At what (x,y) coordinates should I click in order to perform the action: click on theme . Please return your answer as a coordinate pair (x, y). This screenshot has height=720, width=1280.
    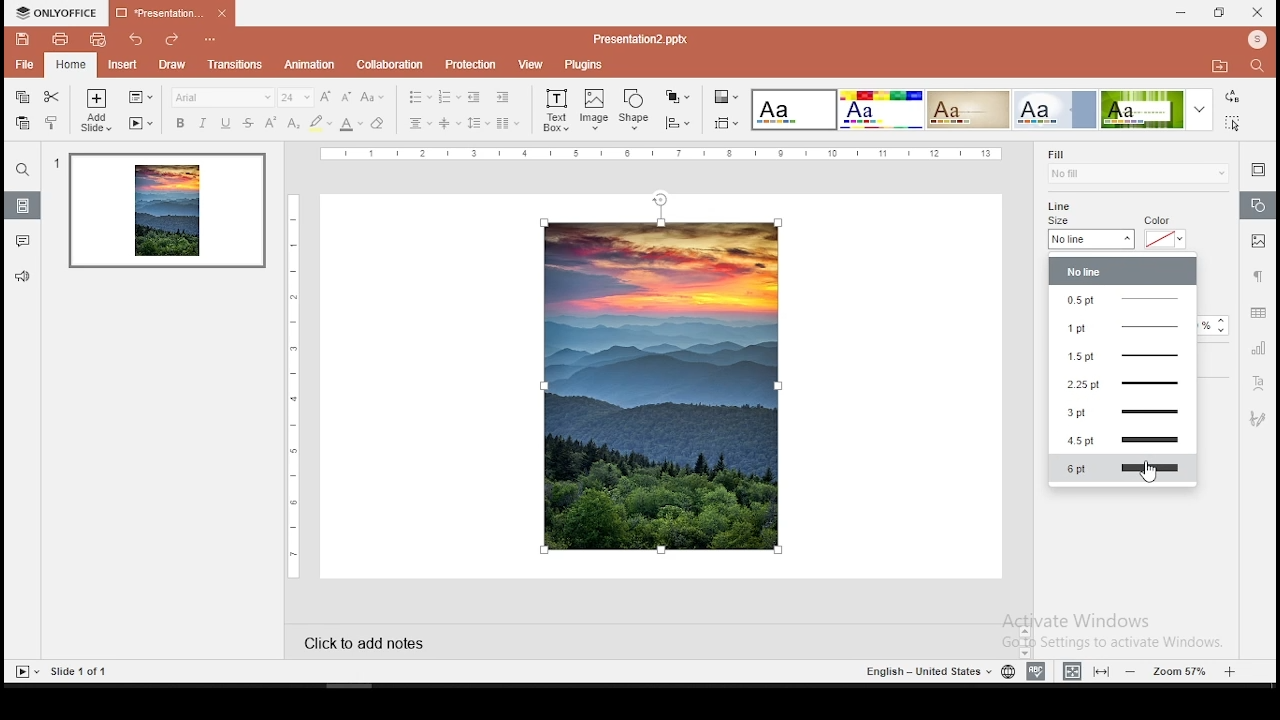
    Looking at the image, I should click on (880, 109).